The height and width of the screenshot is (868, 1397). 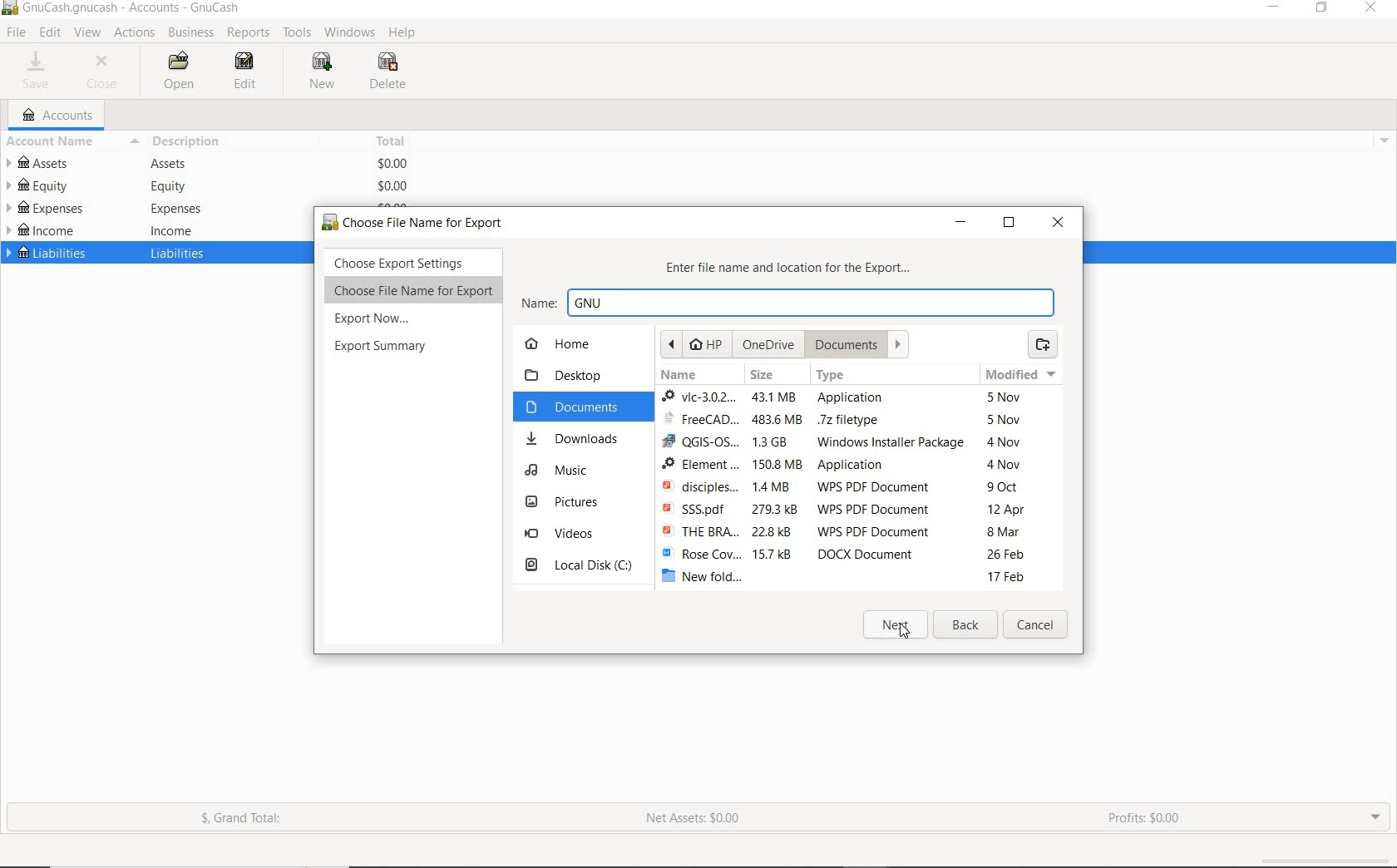 What do you see at coordinates (699, 482) in the screenshot?
I see `file names` at bounding box center [699, 482].